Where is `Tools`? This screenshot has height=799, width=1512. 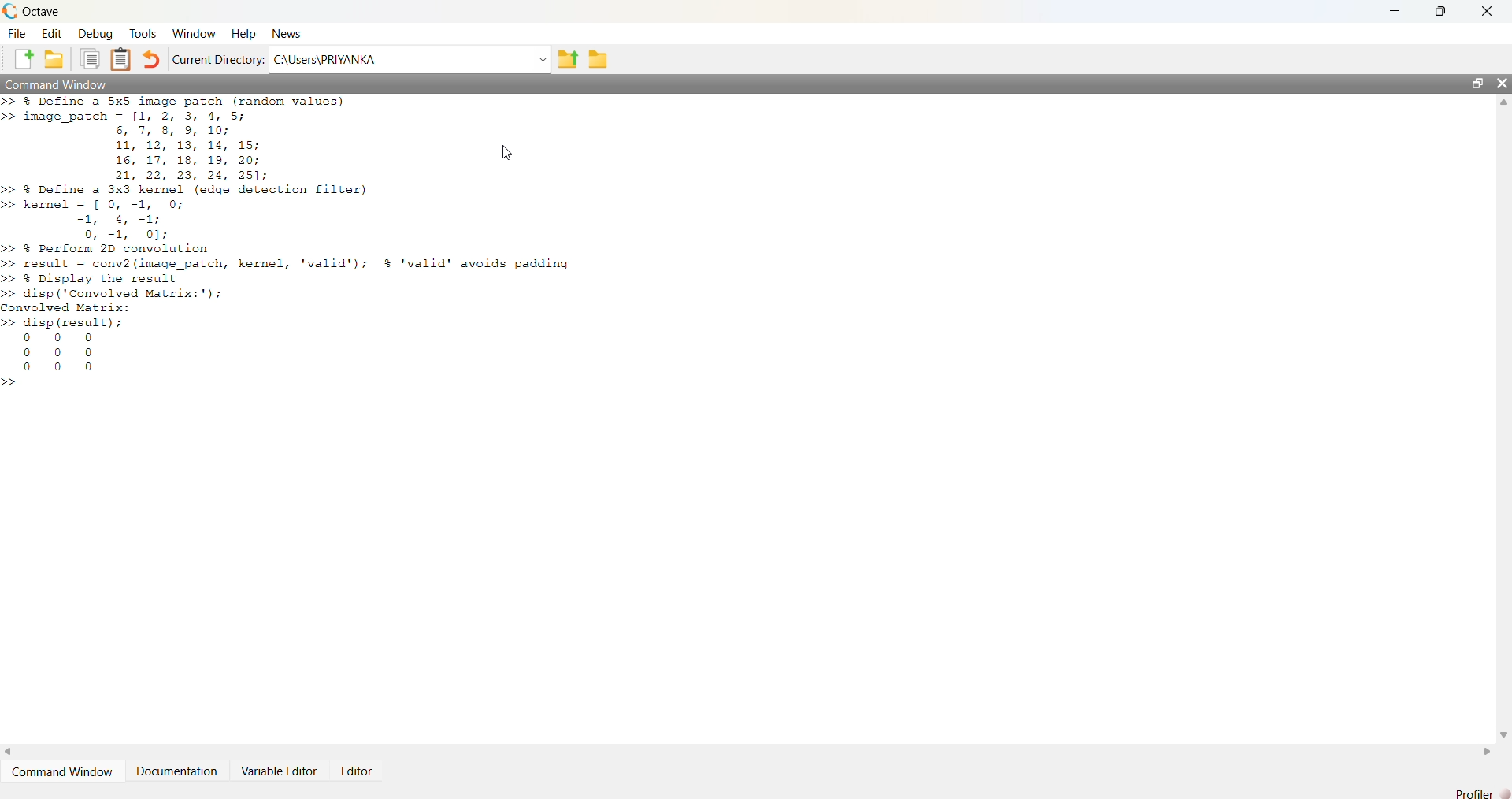
Tools is located at coordinates (145, 33).